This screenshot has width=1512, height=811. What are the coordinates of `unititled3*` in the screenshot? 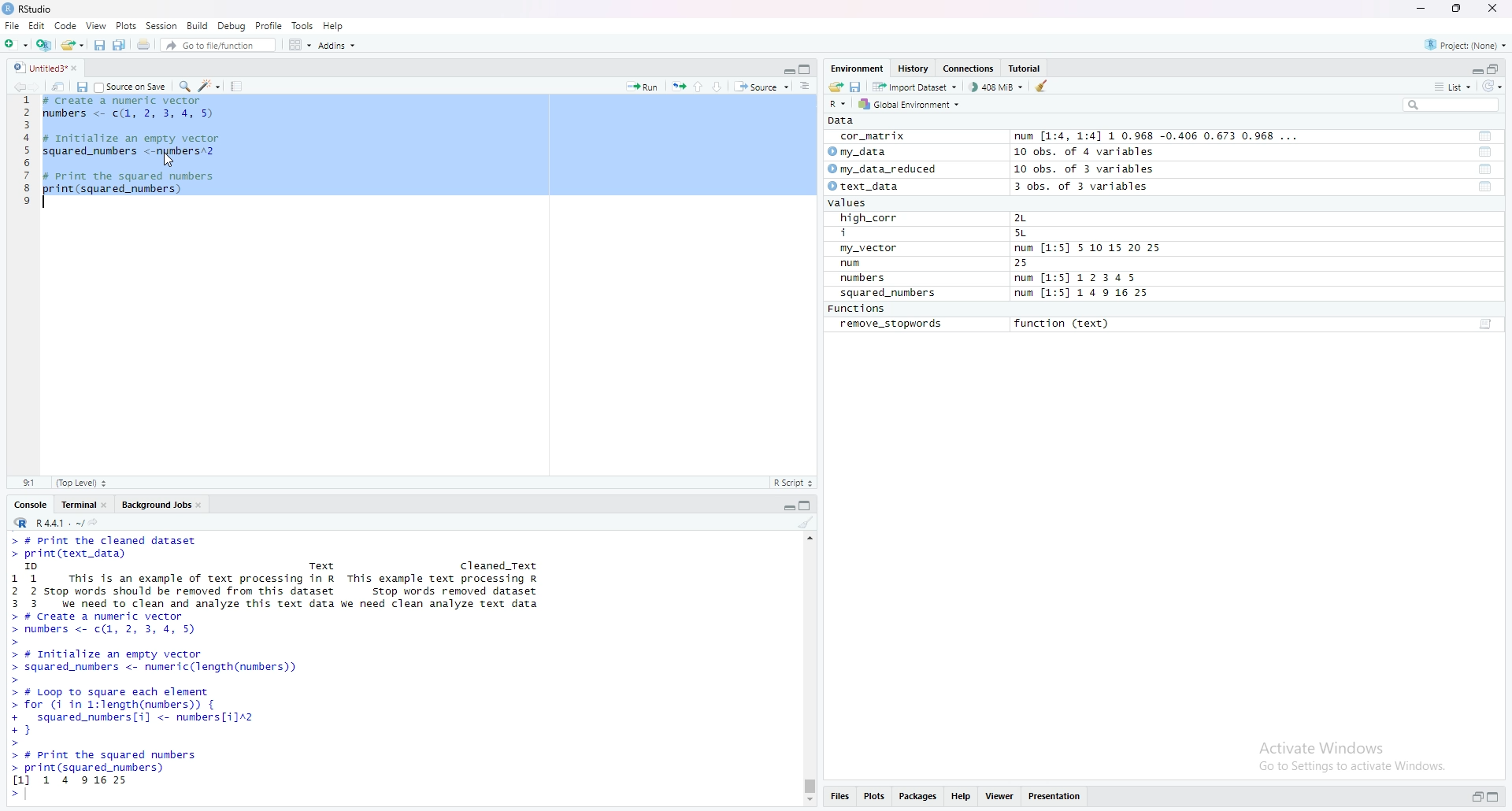 It's located at (37, 67).